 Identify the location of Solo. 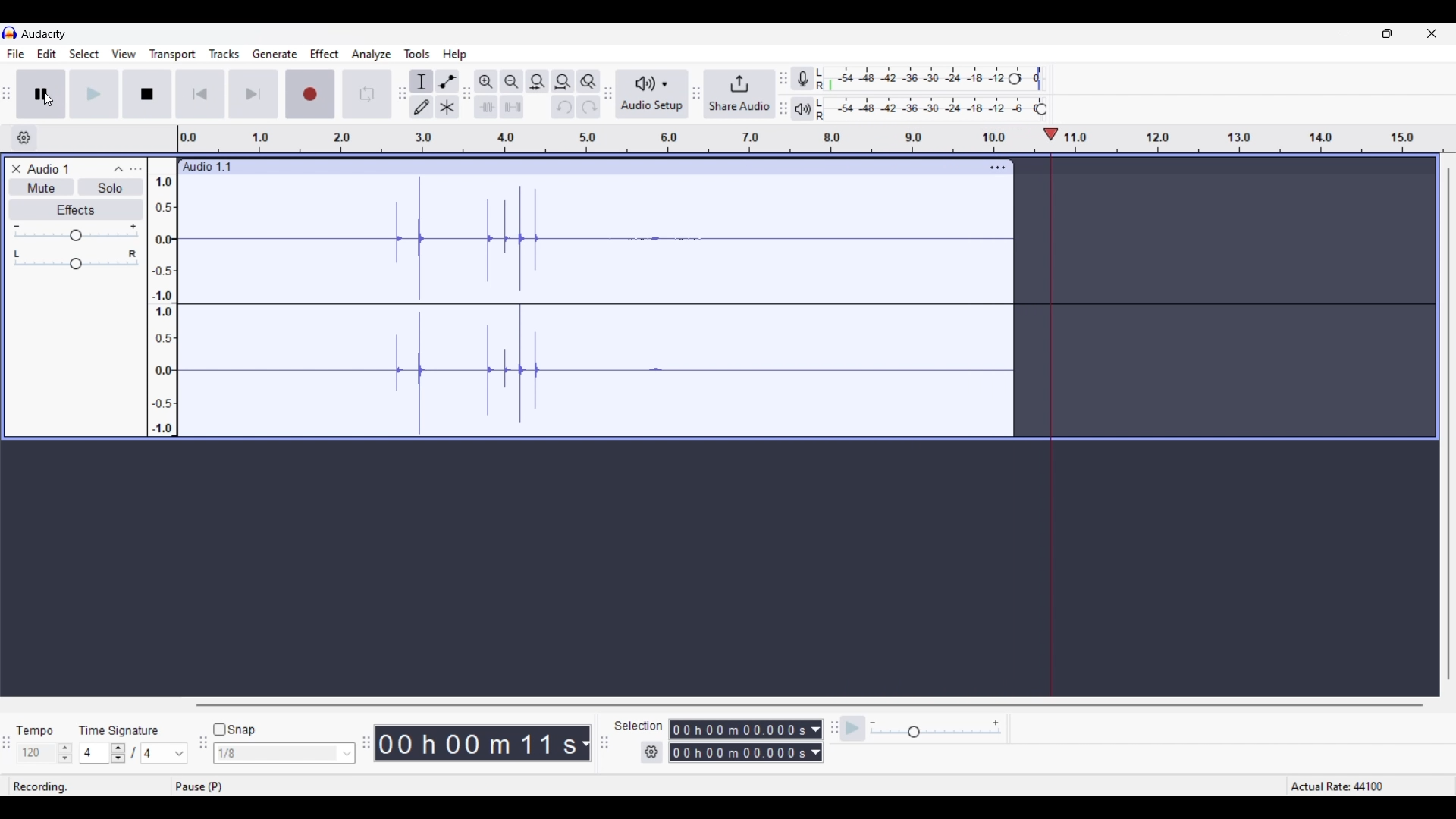
(111, 187).